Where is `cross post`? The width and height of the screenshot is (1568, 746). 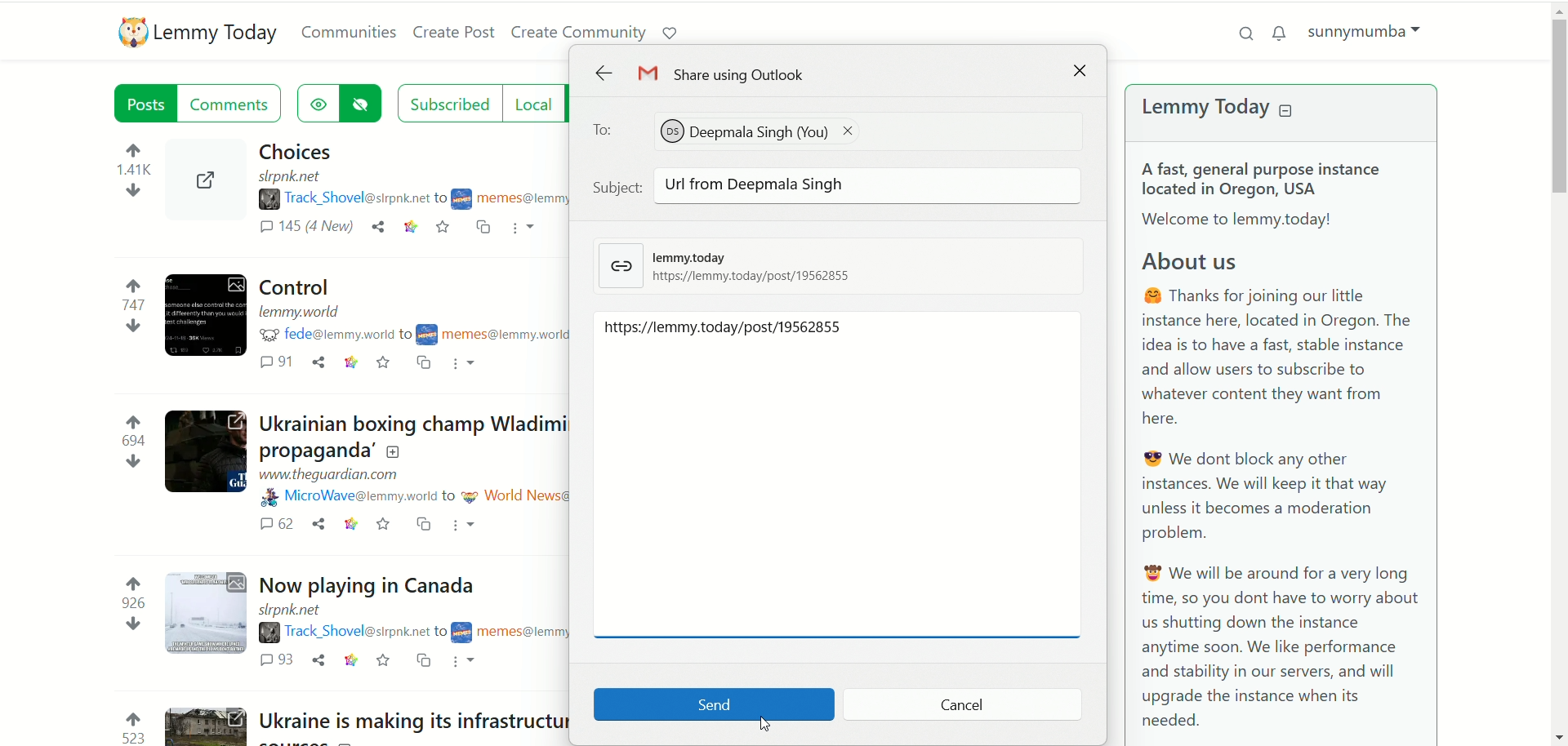
cross post is located at coordinates (421, 661).